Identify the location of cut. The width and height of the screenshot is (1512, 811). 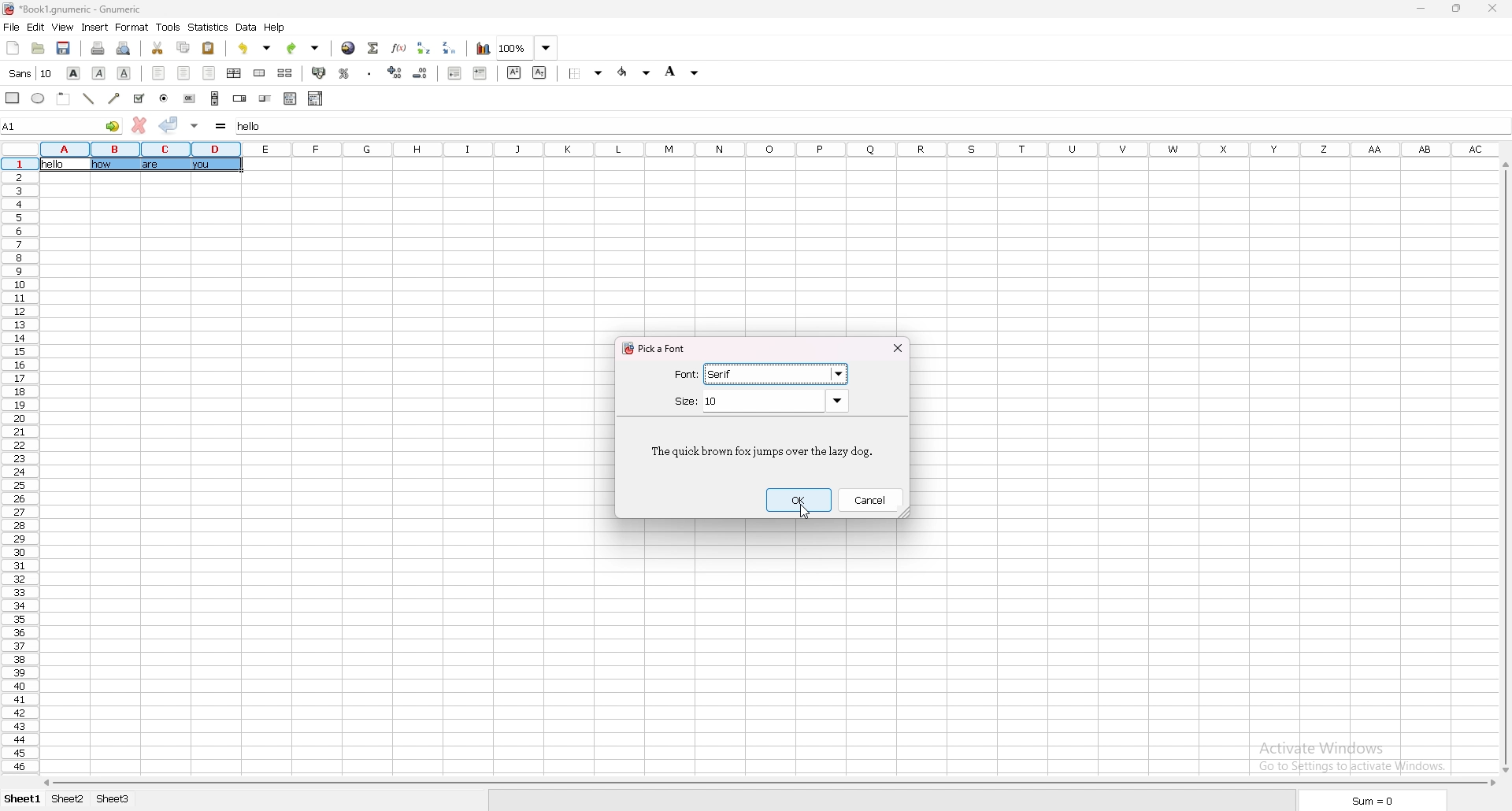
(157, 46).